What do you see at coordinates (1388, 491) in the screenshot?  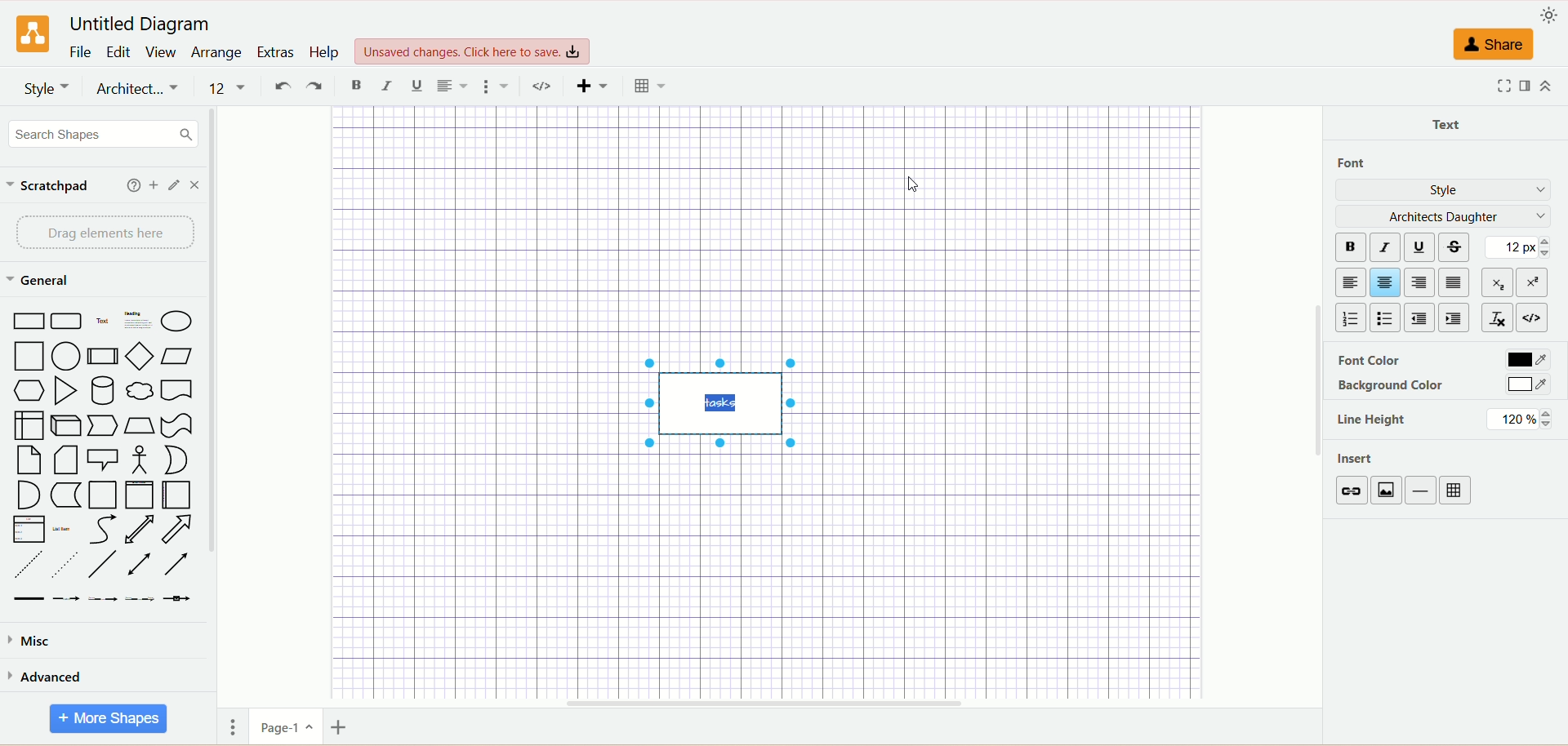 I see `image` at bounding box center [1388, 491].